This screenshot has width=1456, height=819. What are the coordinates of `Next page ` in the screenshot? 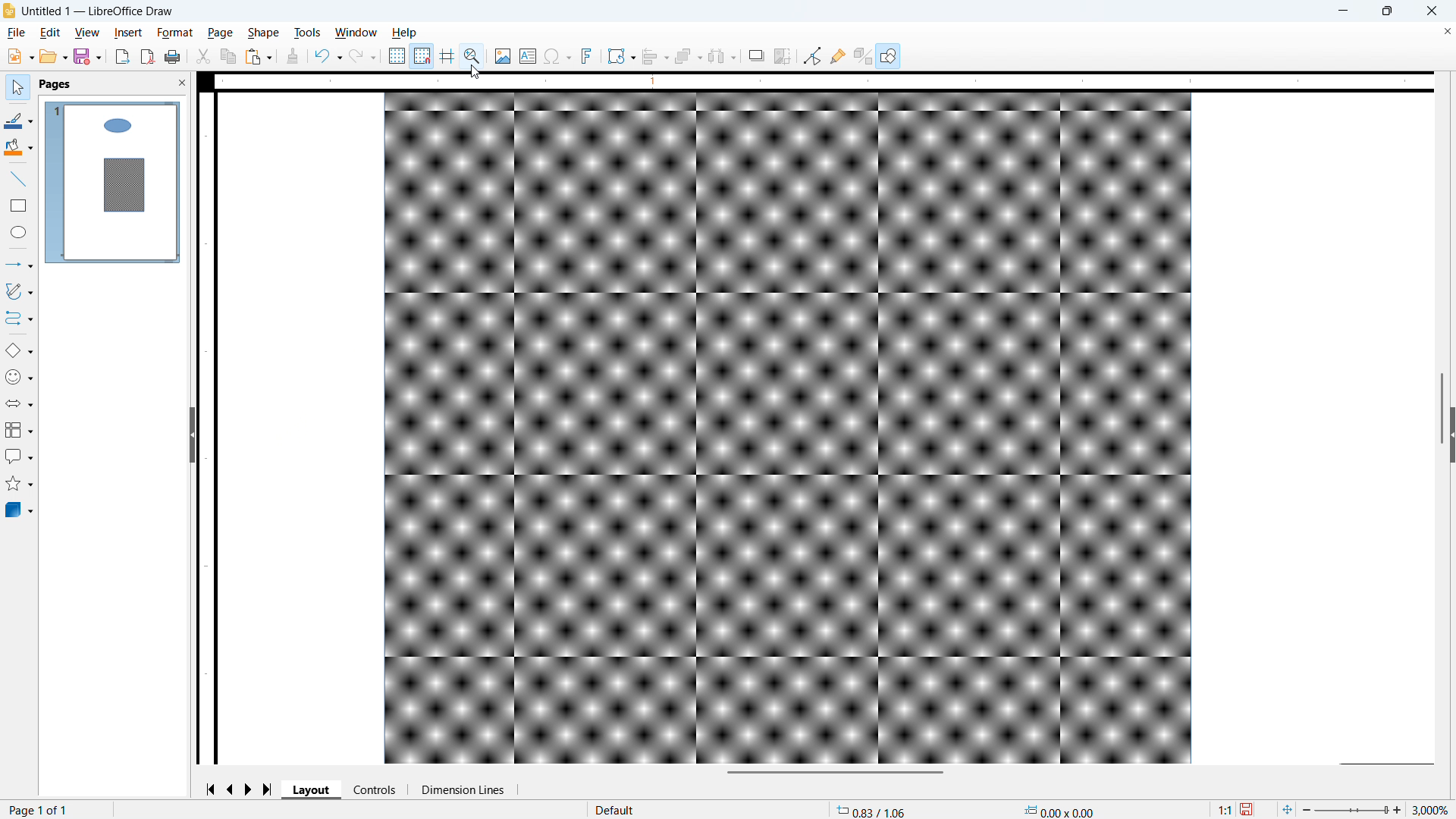 It's located at (251, 789).